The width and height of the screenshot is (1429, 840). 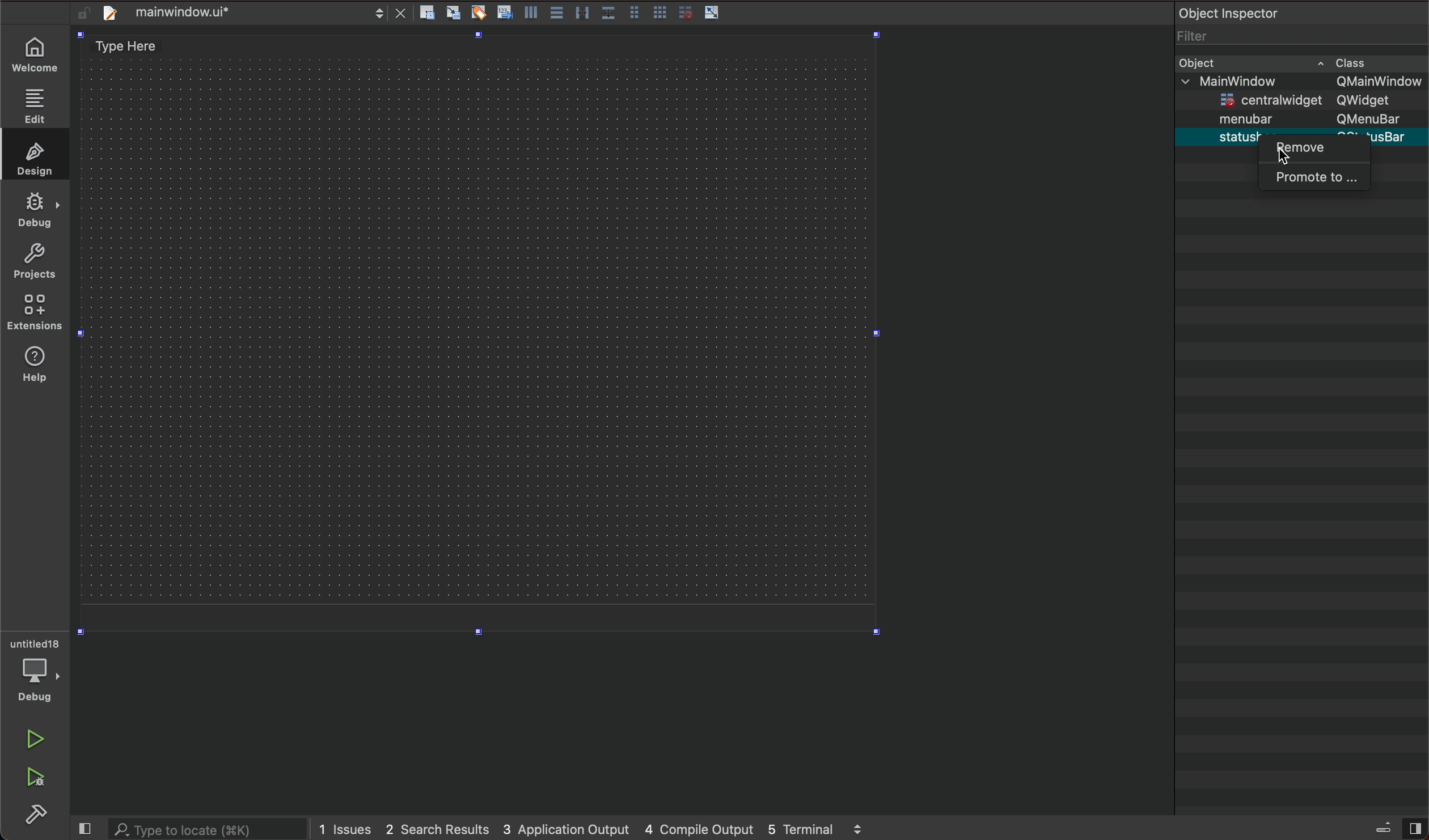 What do you see at coordinates (346, 826) in the screenshot?
I see `1 issues` at bounding box center [346, 826].